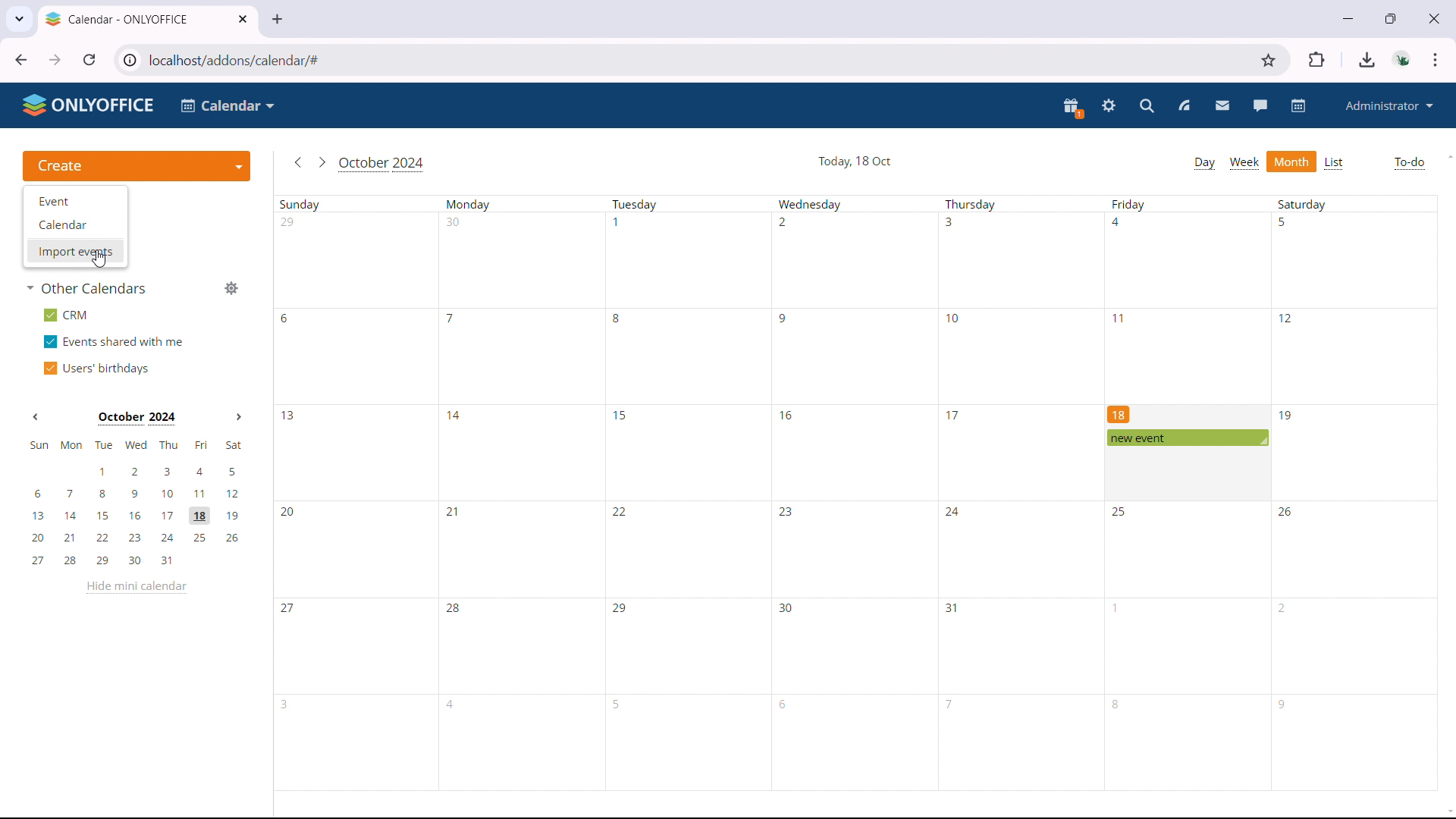  What do you see at coordinates (87, 289) in the screenshot?
I see `other calendars` at bounding box center [87, 289].